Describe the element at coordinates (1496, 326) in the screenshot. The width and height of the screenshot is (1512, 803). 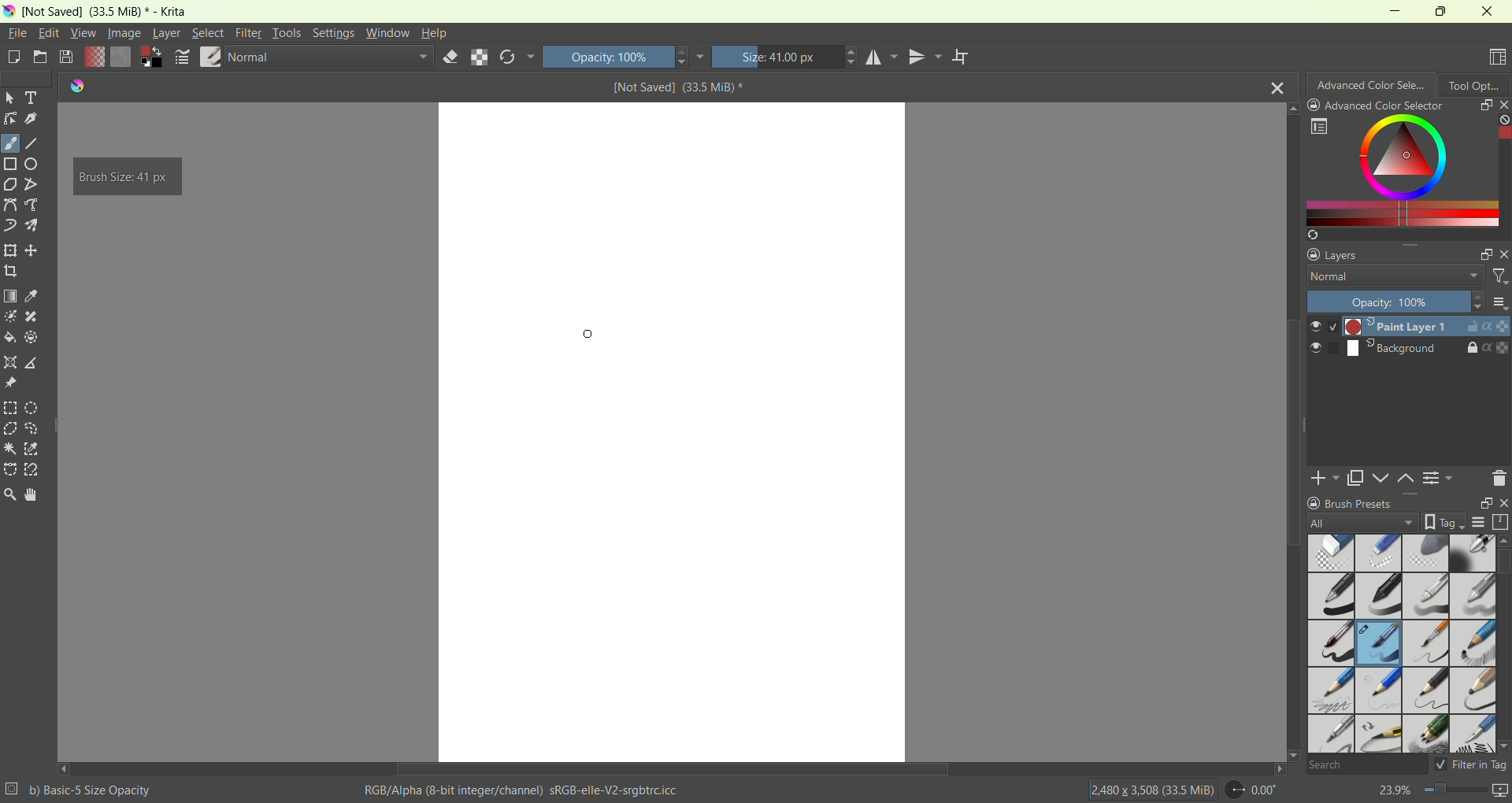
I see `properties` at that location.